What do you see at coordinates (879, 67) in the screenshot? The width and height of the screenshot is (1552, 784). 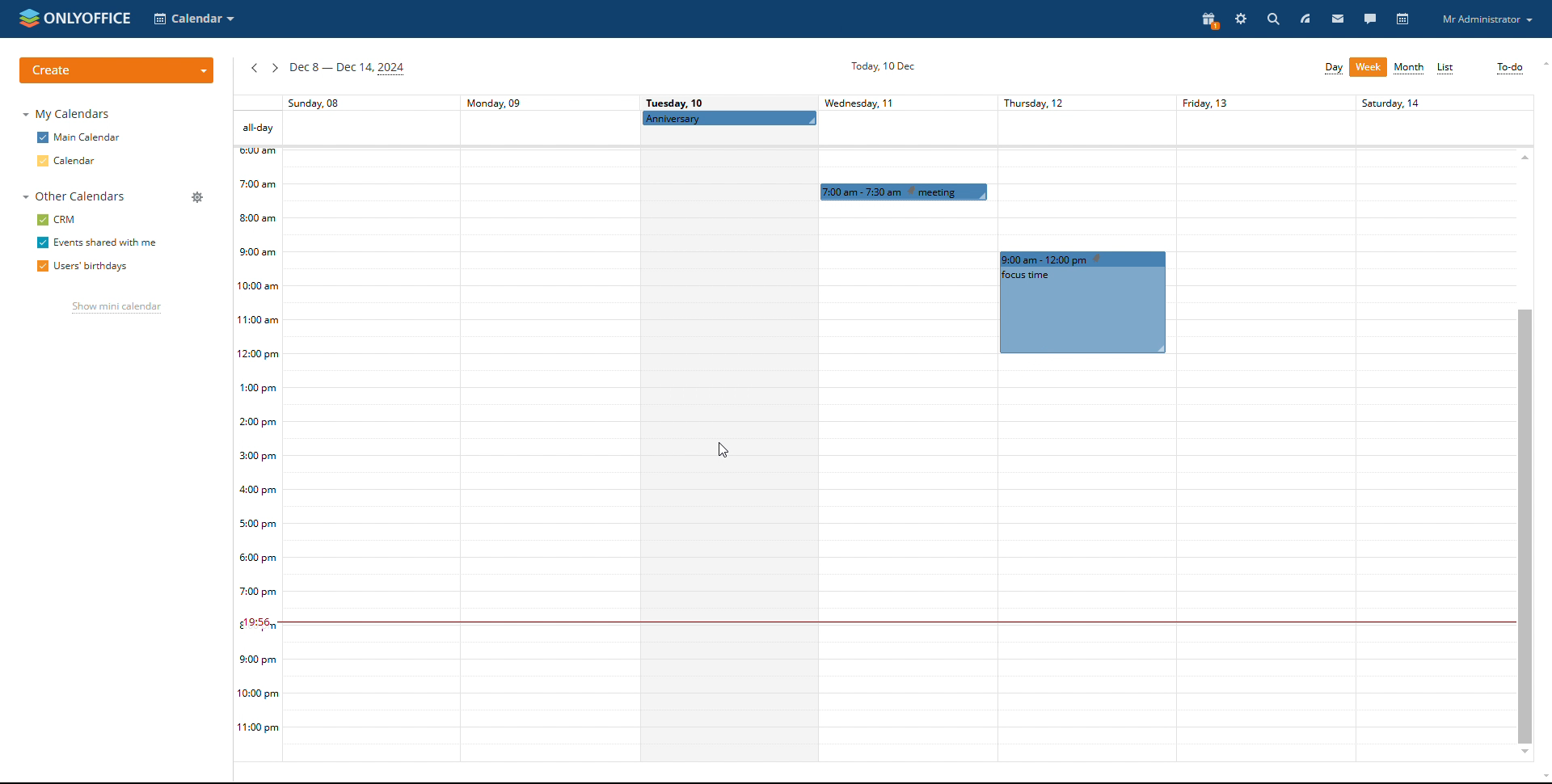 I see `current date` at bounding box center [879, 67].